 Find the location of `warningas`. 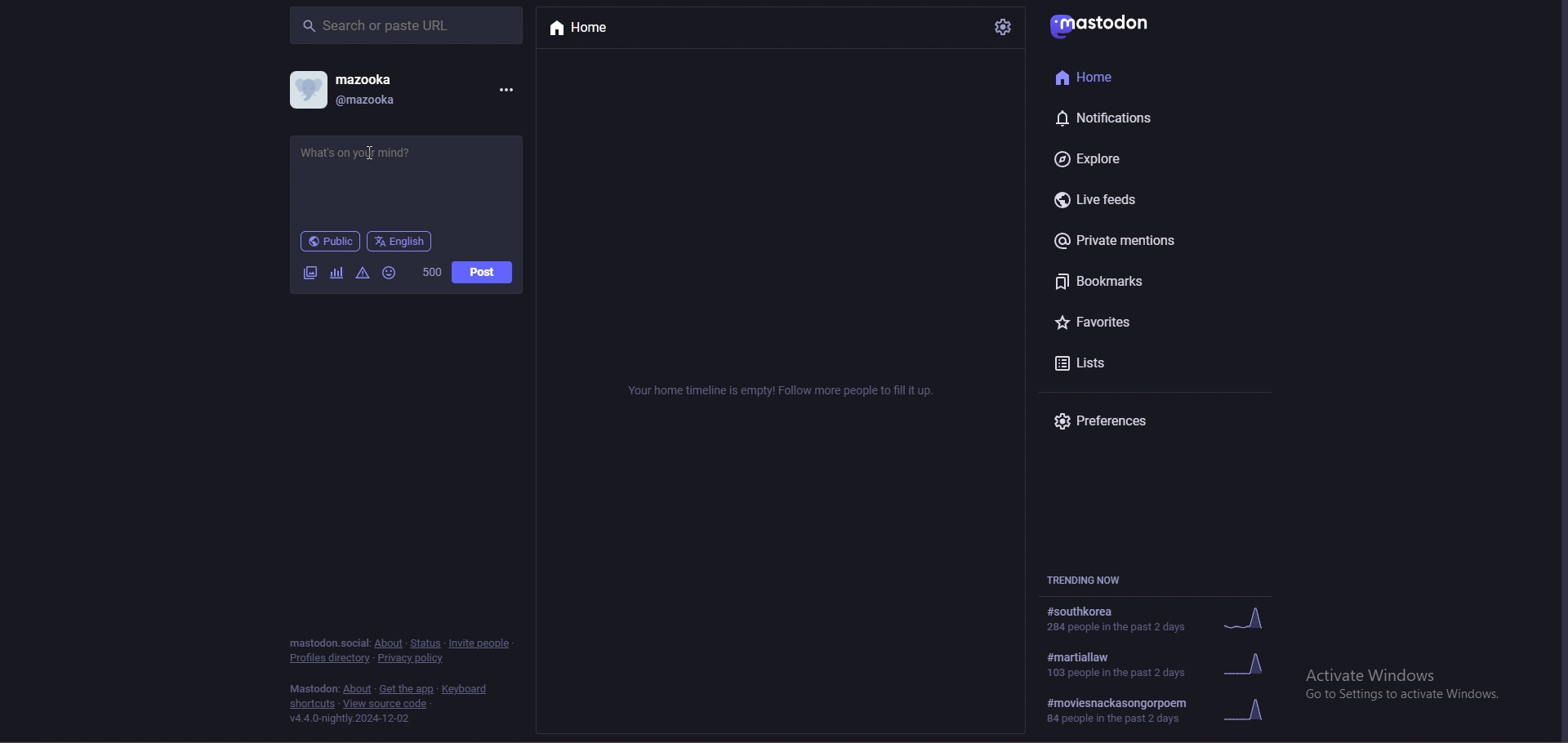

warningas is located at coordinates (363, 274).